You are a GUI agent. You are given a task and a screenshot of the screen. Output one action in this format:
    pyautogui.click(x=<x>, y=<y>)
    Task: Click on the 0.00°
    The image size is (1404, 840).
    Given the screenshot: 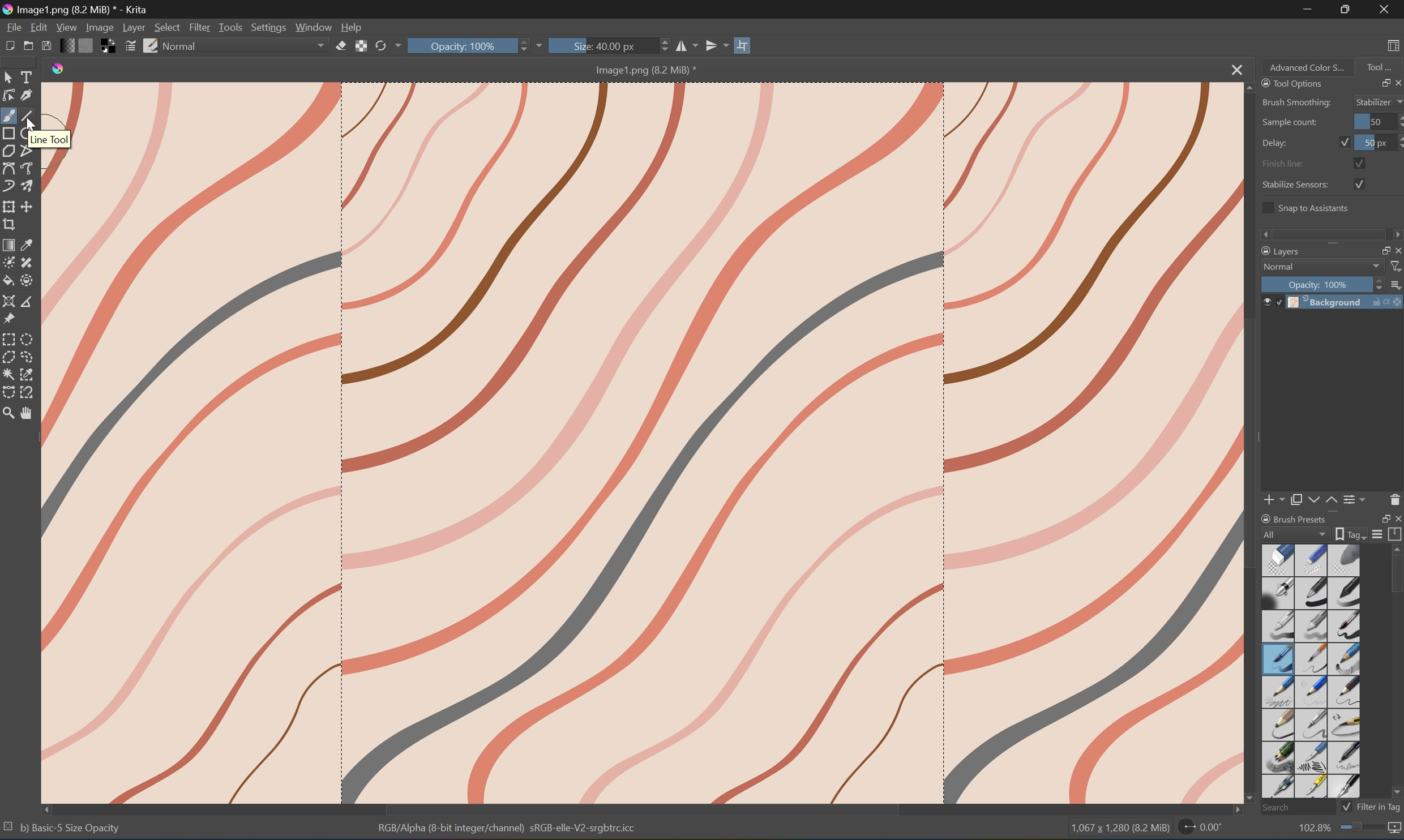 What is the action you would take?
    pyautogui.click(x=1200, y=829)
    